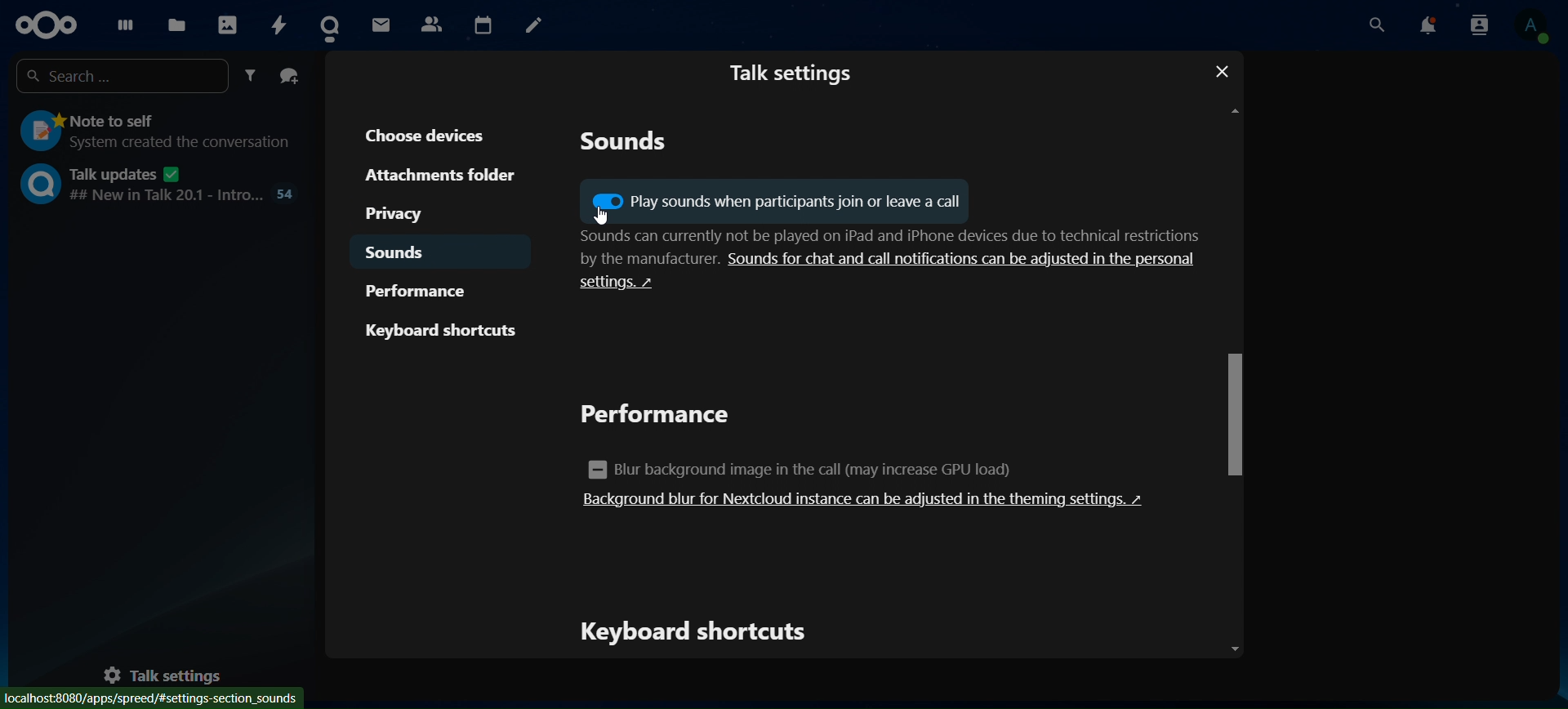  I want to click on close, so click(1227, 70).